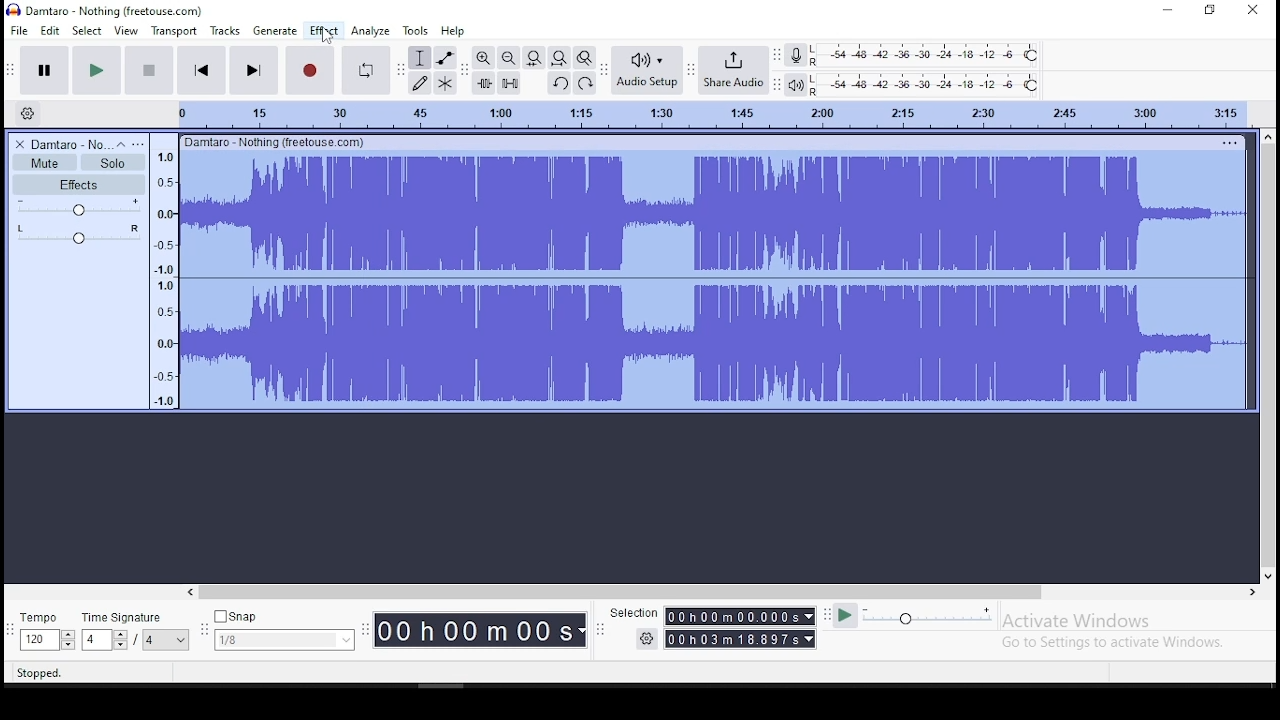 Image resolution: width=1280 pixels, height=720 pixels. What do you see at coordinates (582, 631) in the screenshot?
I see `Drop down` at bounding box center [582, 631].